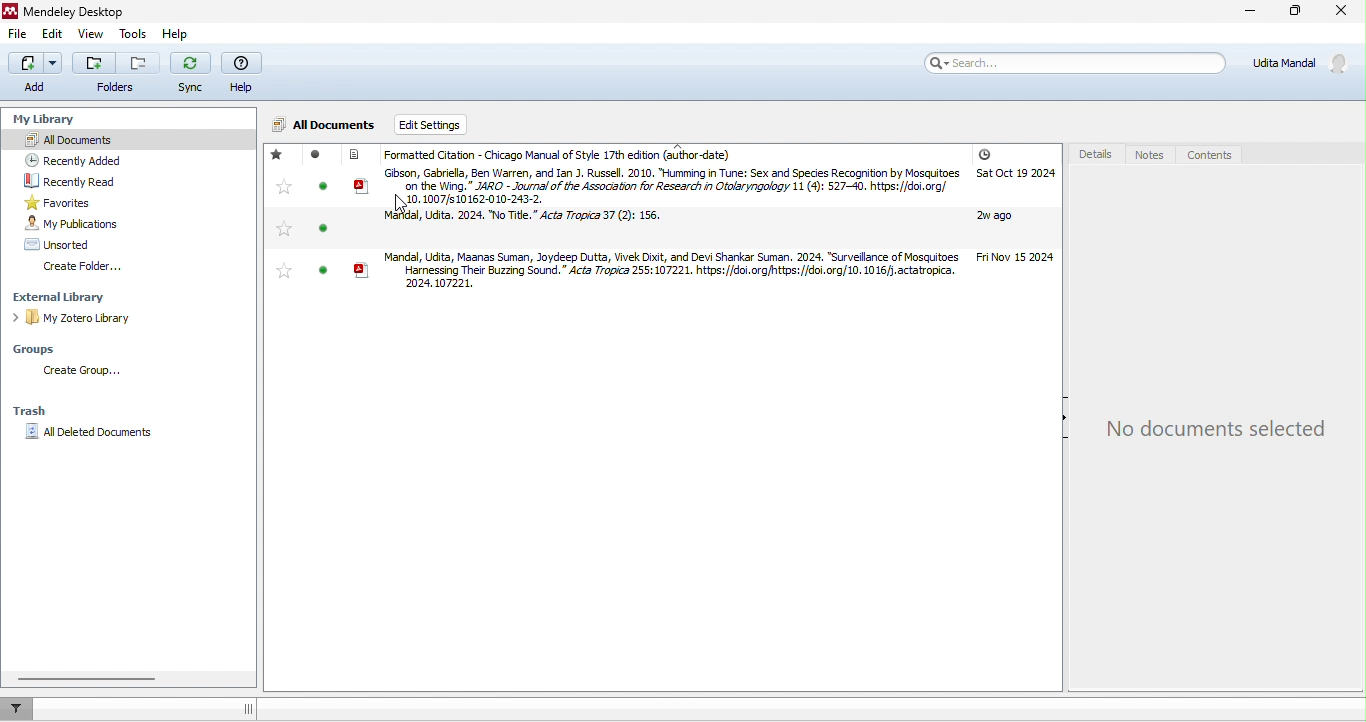  I want to click on cursor, so click(407, 202).